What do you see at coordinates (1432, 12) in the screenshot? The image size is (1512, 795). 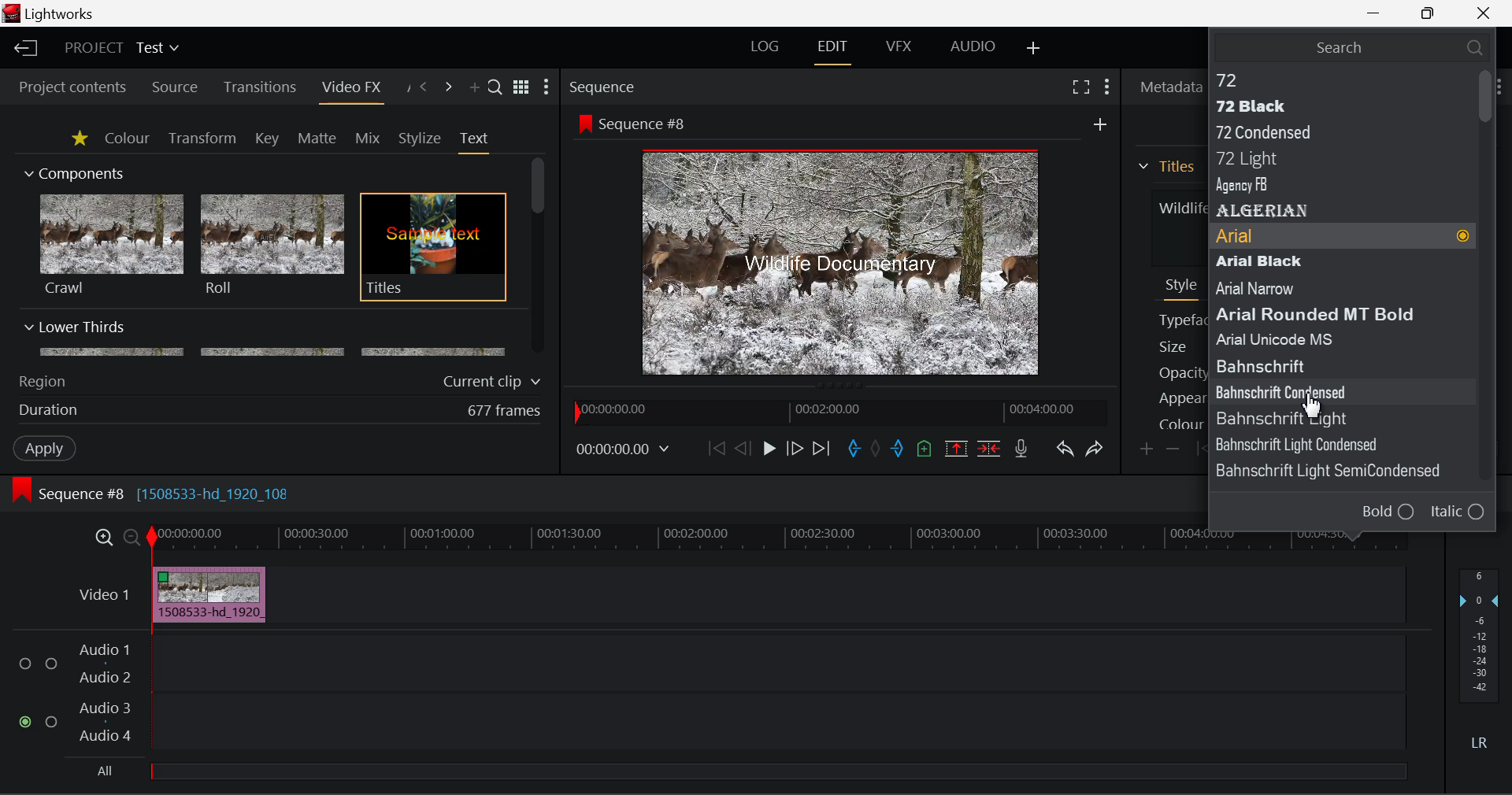 I see `Minimize` at bounding box center [1432, 12].